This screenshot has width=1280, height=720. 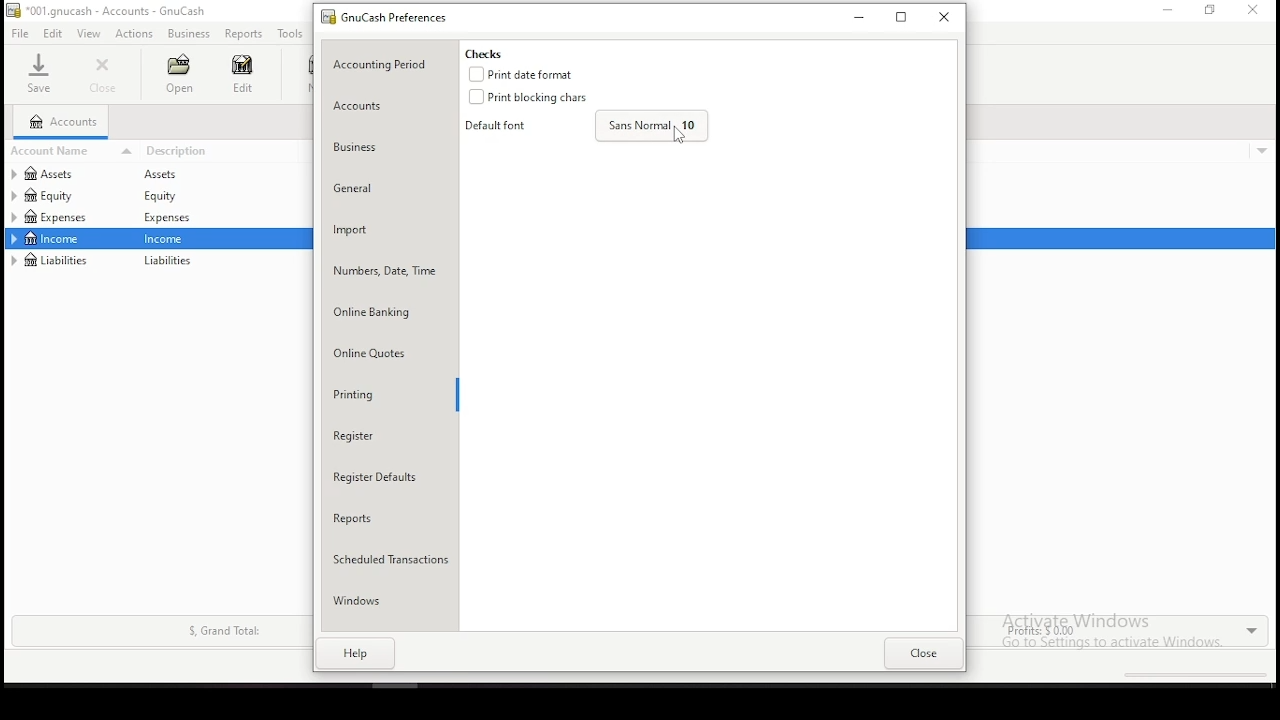 What do you see at coordinates (135, 34) in the screenshot?
I see `actions` at bounding box center [135, 34].